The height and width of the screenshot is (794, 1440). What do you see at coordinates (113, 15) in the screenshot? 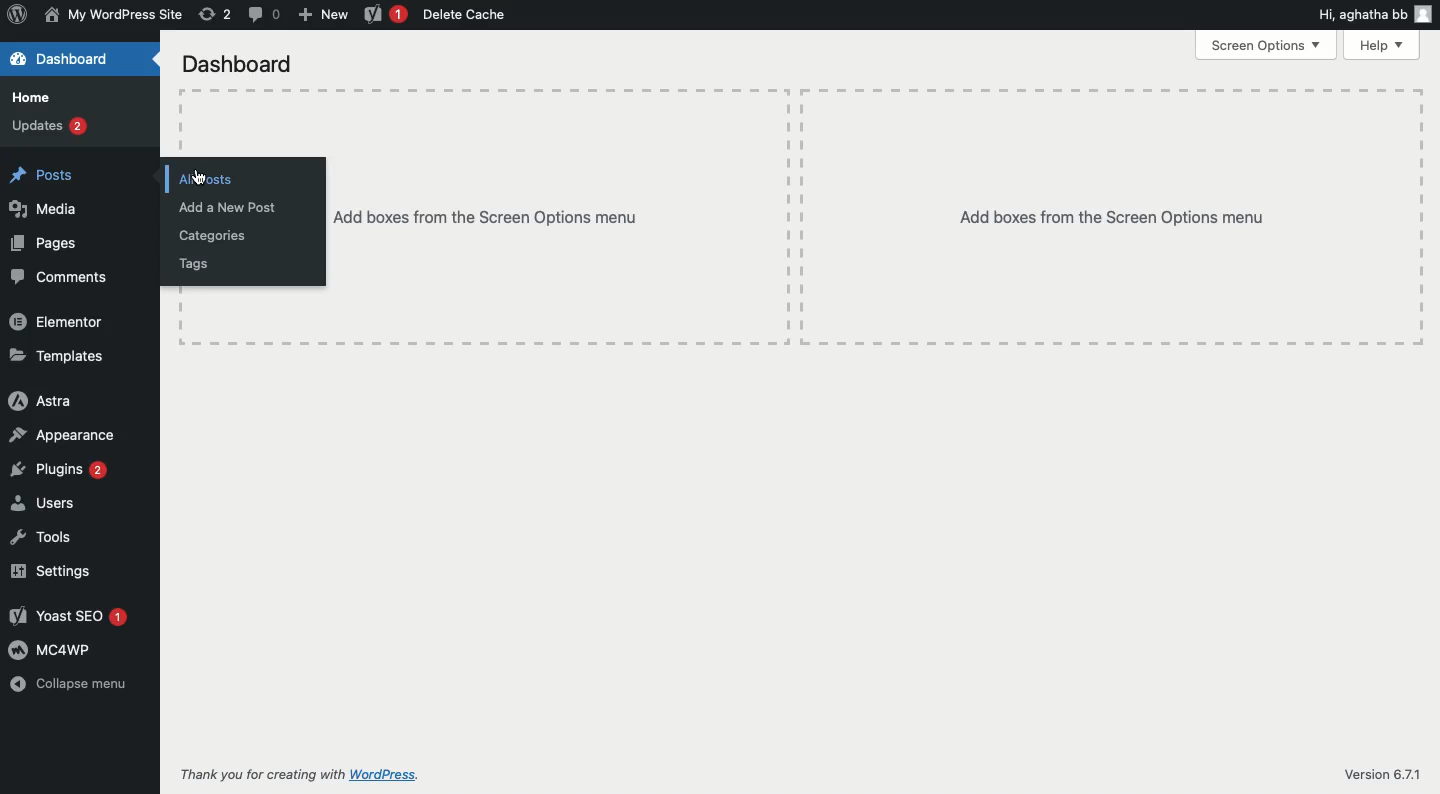
I see `Name` at bounding box center [113, 15].